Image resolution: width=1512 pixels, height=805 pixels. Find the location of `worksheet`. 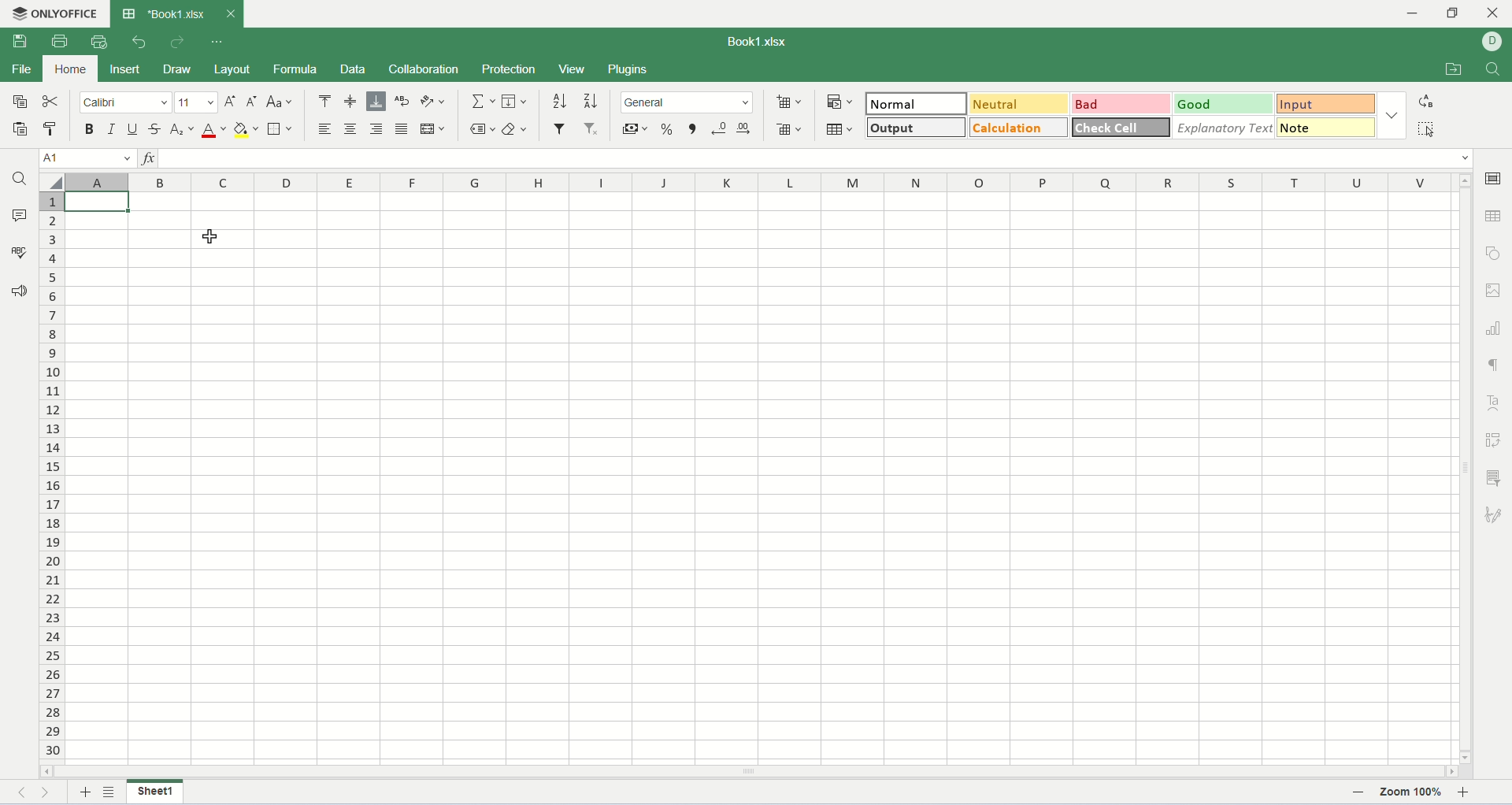

worksheet is located at coordinates (757, 477).